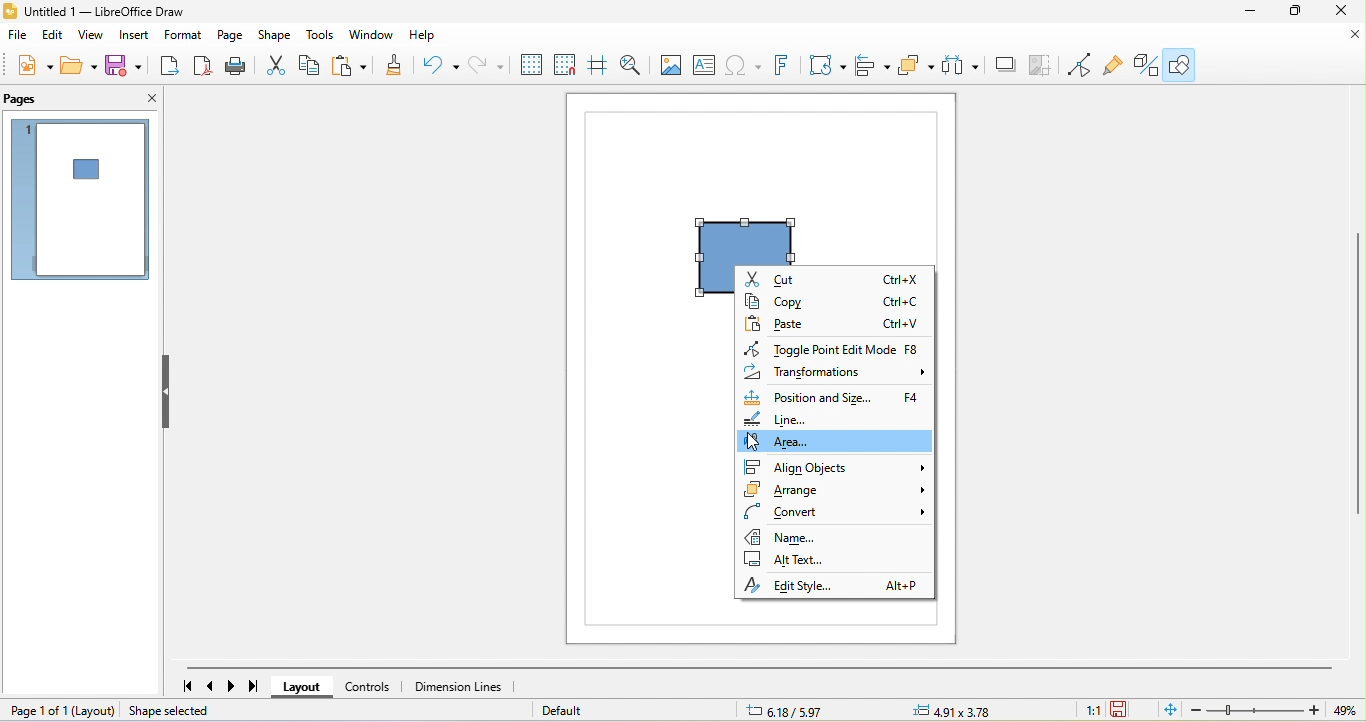  What do you see at coordinates (1081, 67) in the screenshot?
I see `toggle point edit mode` at bounding box center [1081, 67].